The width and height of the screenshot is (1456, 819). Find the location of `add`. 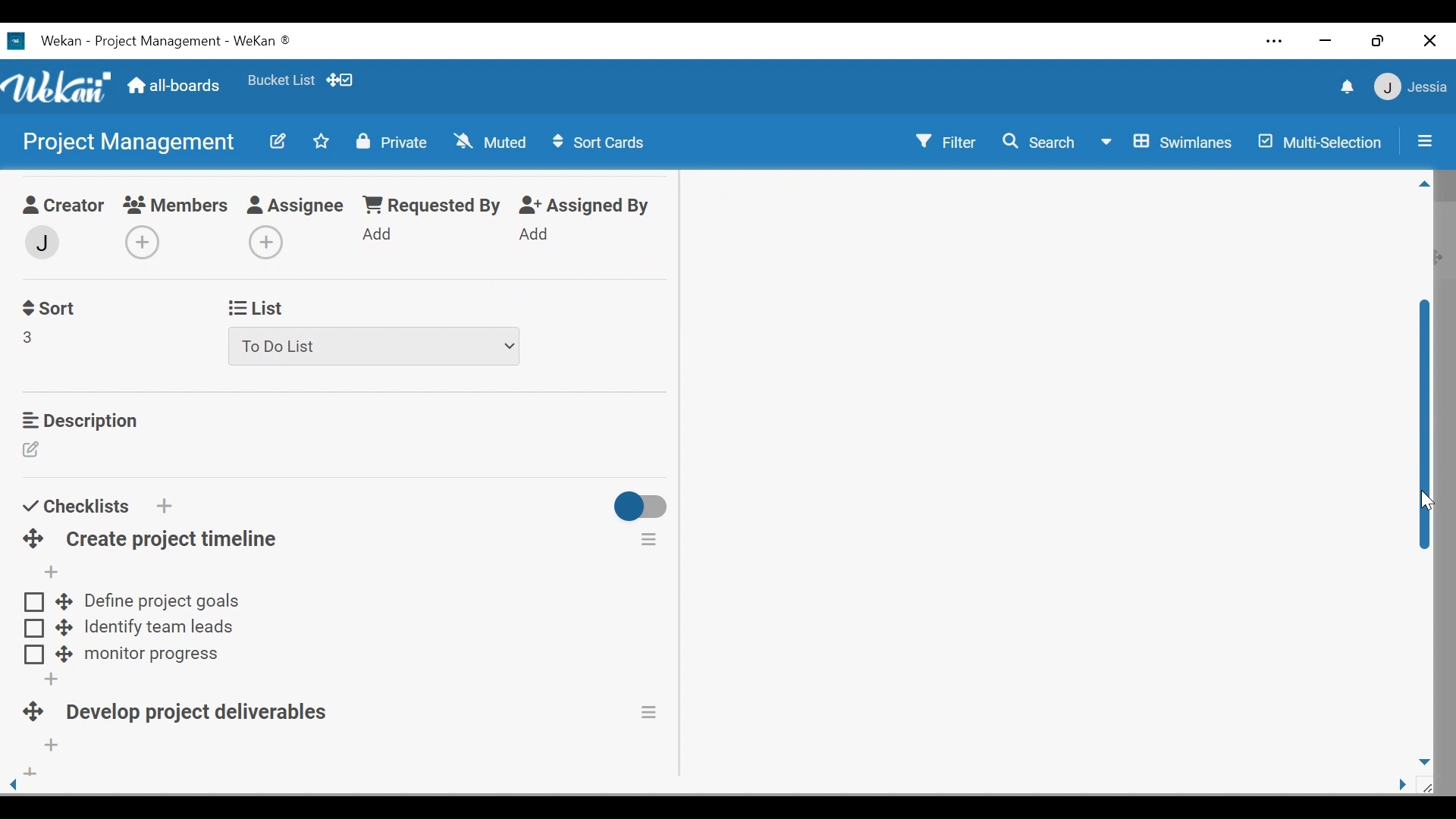

add is located at coordinates (47, 679).